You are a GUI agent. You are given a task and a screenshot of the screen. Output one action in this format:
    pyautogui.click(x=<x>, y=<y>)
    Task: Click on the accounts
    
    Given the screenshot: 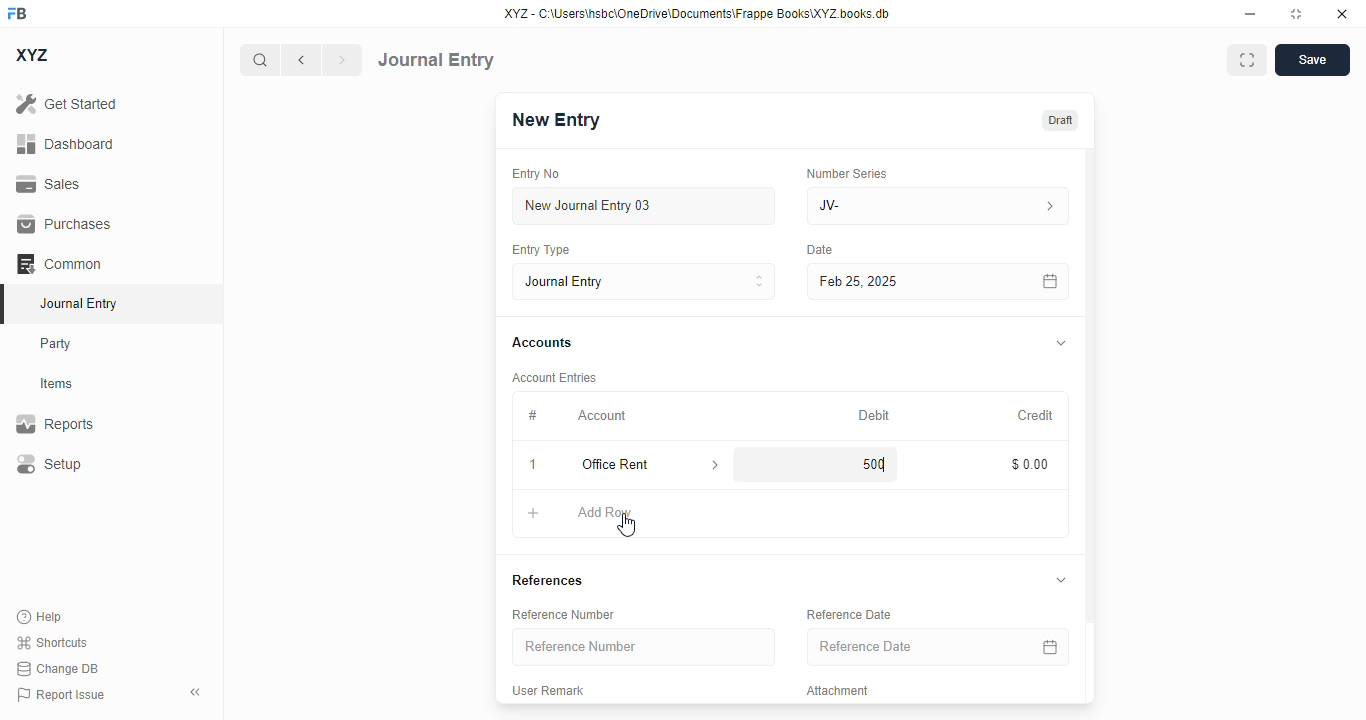 What is the action you would take?
    pyautogui.click(x=542, y=343)
    